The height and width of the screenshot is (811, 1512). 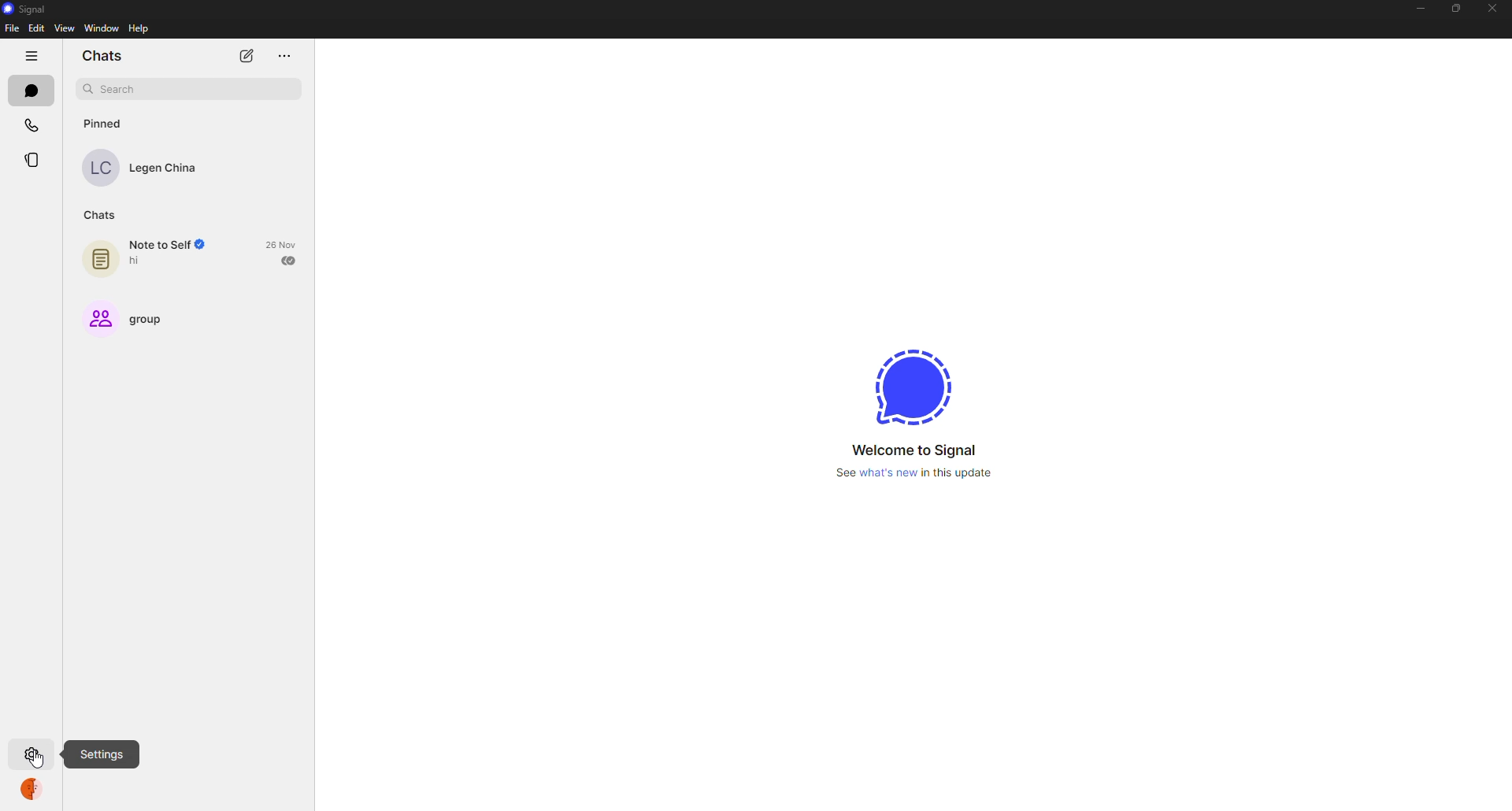 What do you see at coordinates (917, 449) in the screenshot?
I see `welcome to signal` at bounding box center [917, 449].